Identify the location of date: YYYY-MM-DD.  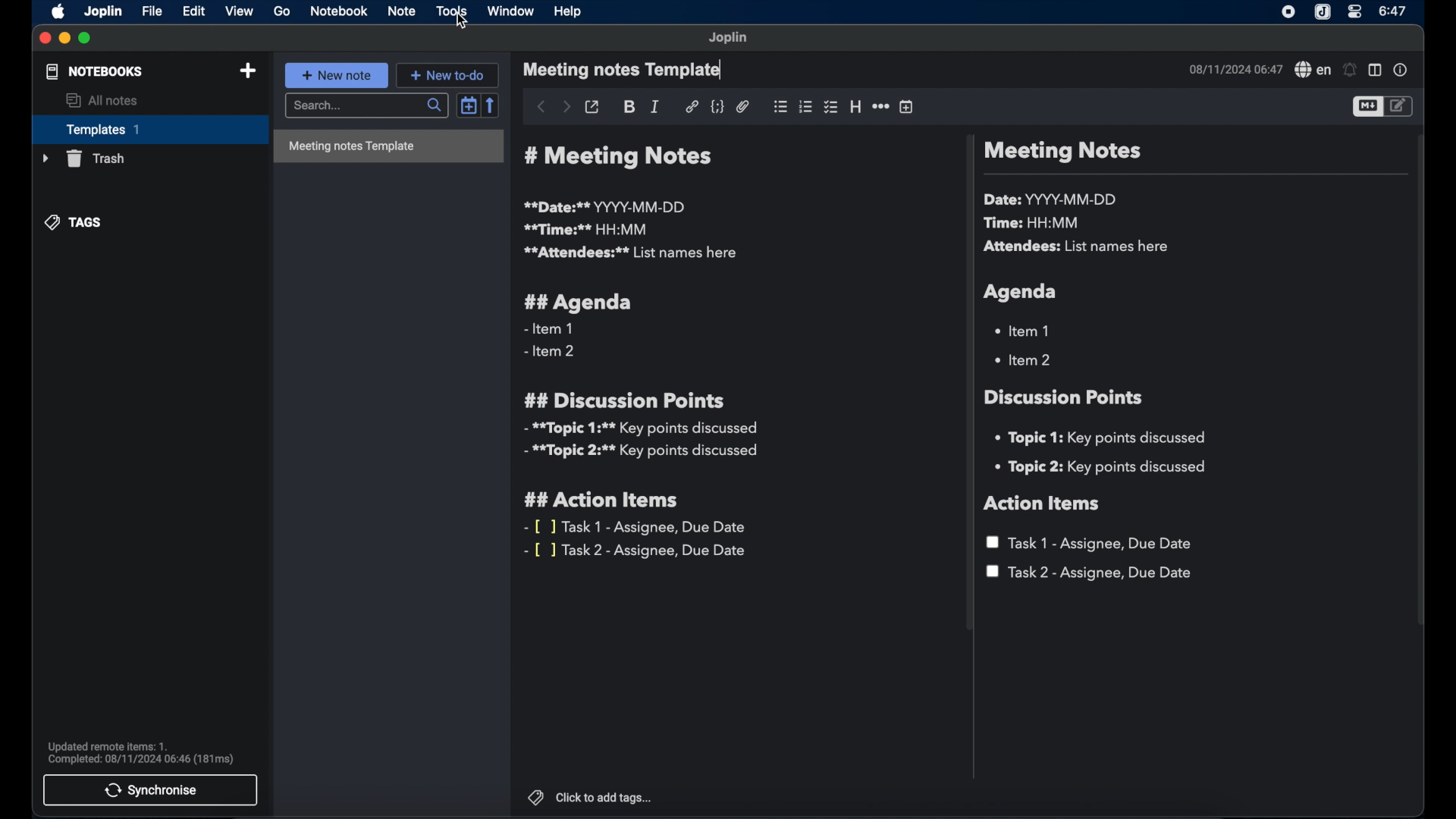
(1053, 199).